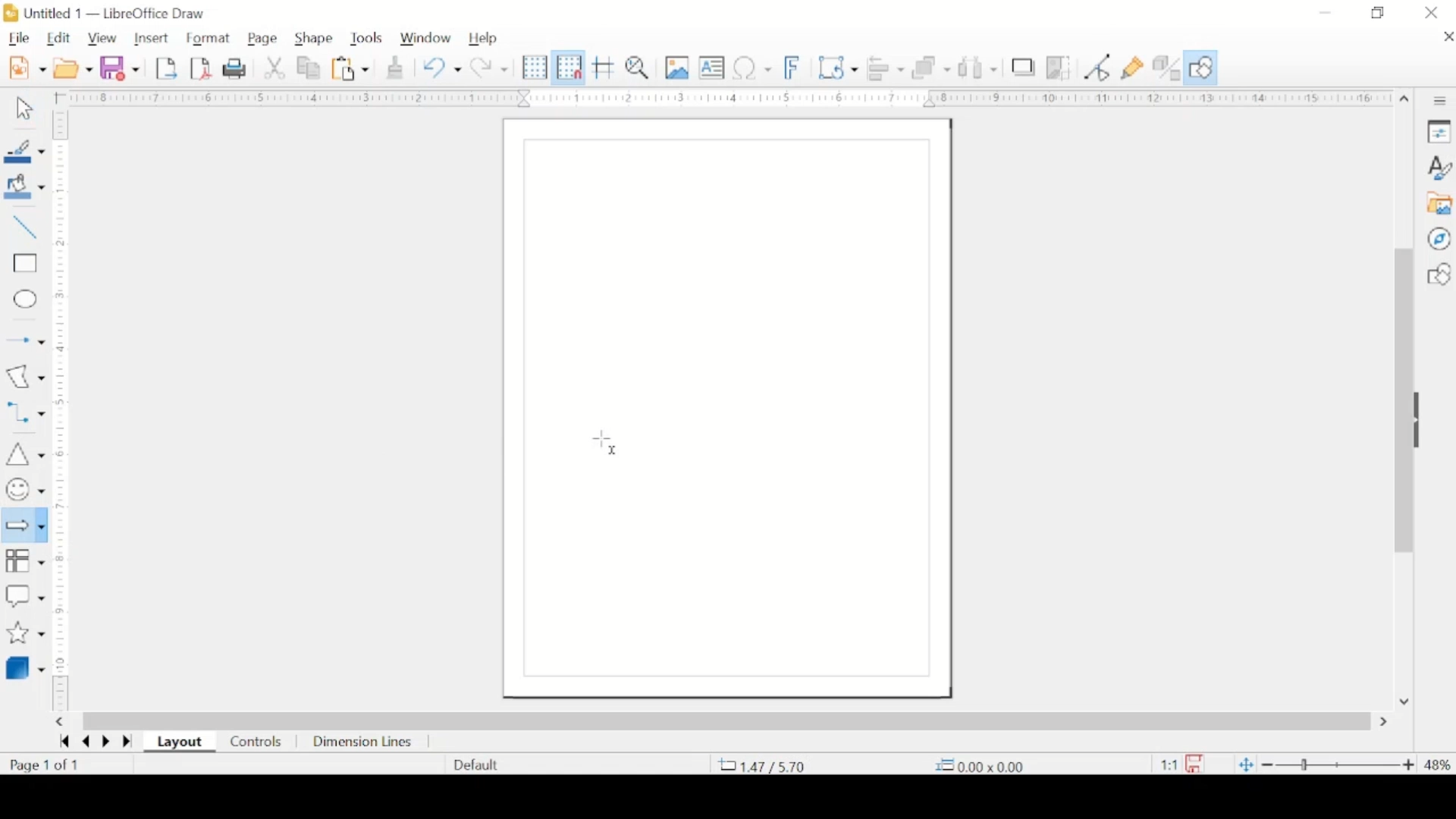 Image resolution: width=1456 pixels, height=819 pixels. What do you see at coordinates (723, 410) in the screenshot?
I see `blank canvas` at bounding box center [723, 410].